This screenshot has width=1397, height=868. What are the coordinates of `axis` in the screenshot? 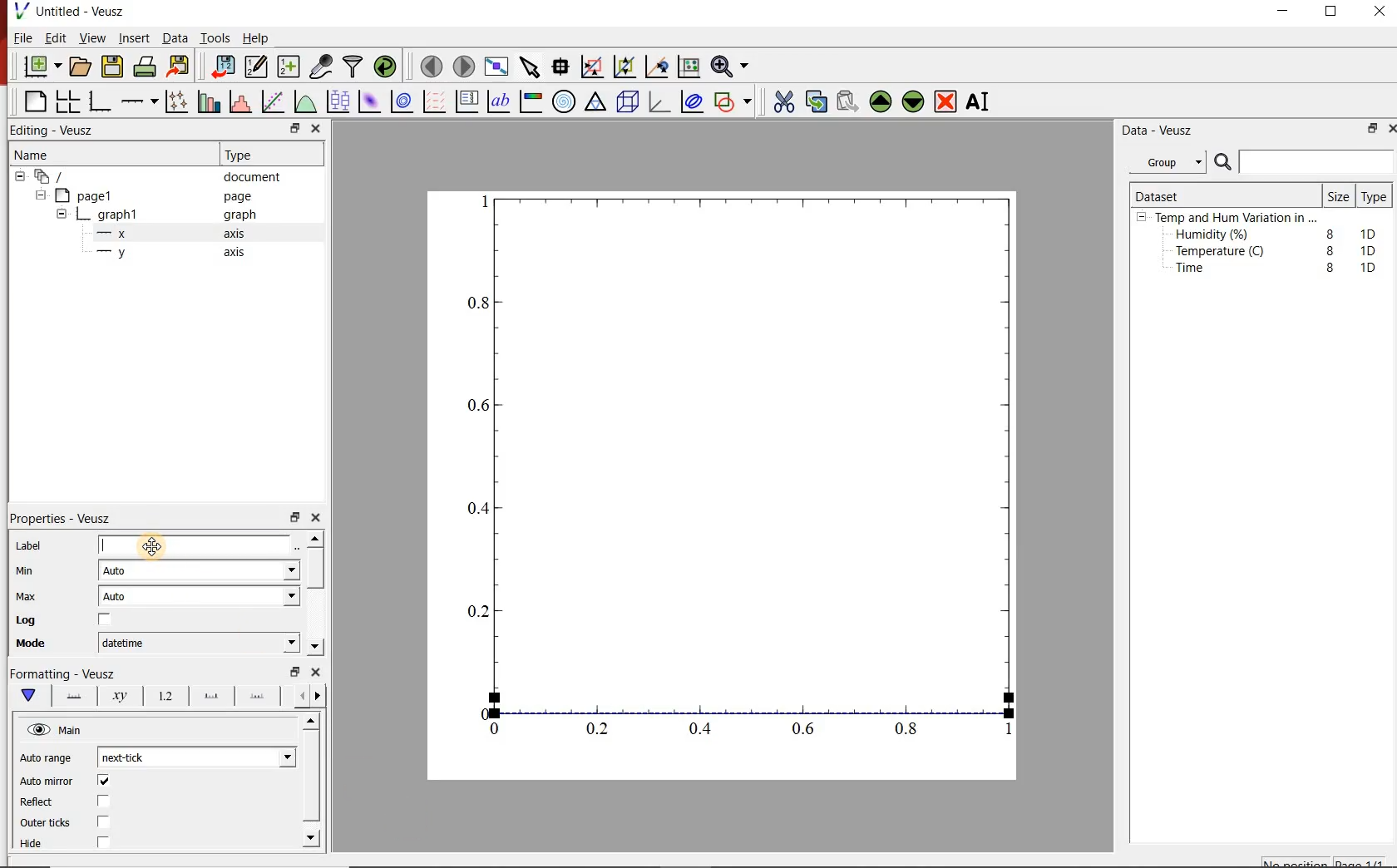 It's located at (239, 235).